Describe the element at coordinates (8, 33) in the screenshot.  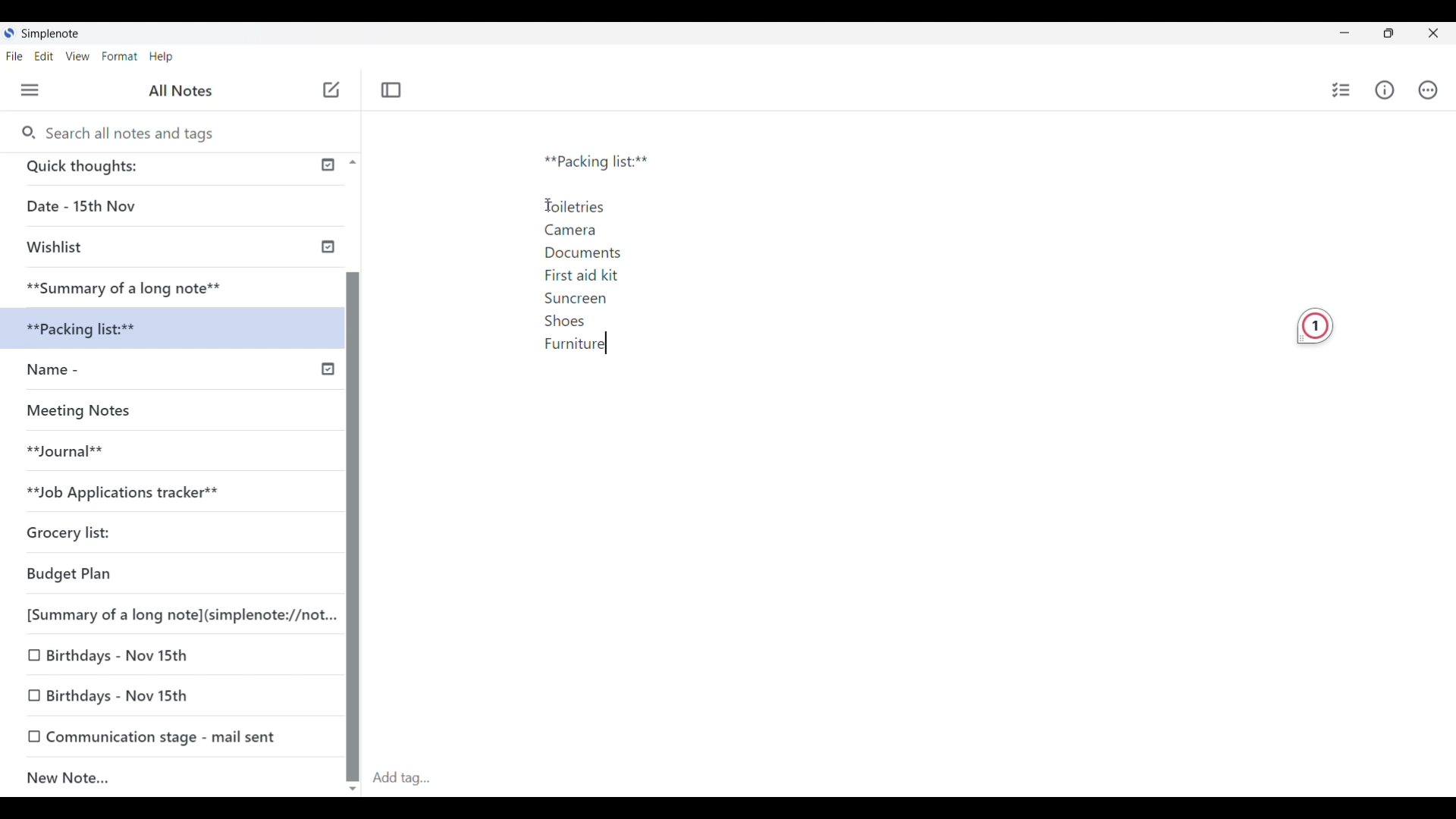
I see `Software logo` at that location.